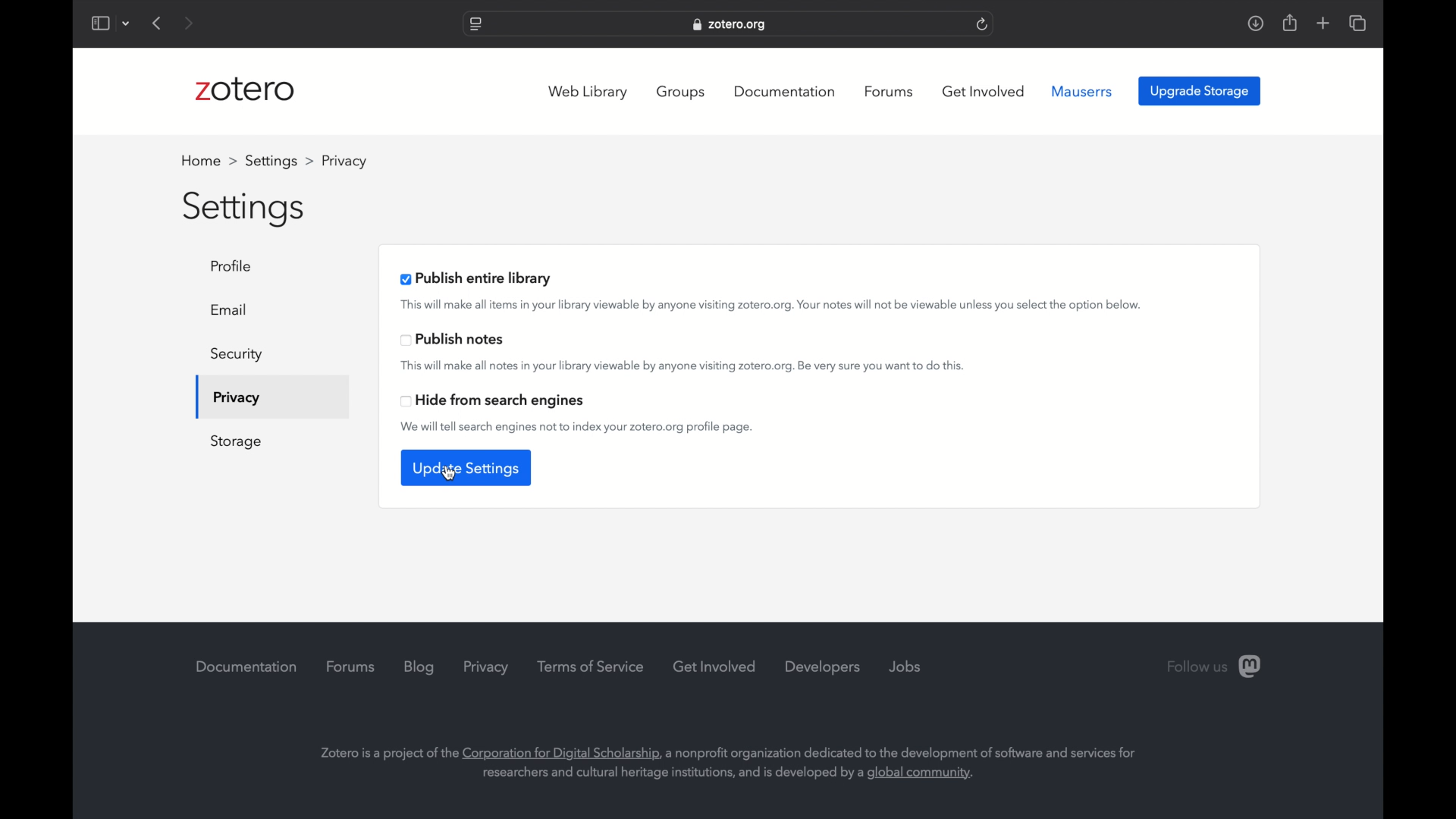 This screenshot has height=819, width=1456. What do you see at coordinates (281, 161) in the screenshot?
I see `settings` at bounding box center [281, 161].